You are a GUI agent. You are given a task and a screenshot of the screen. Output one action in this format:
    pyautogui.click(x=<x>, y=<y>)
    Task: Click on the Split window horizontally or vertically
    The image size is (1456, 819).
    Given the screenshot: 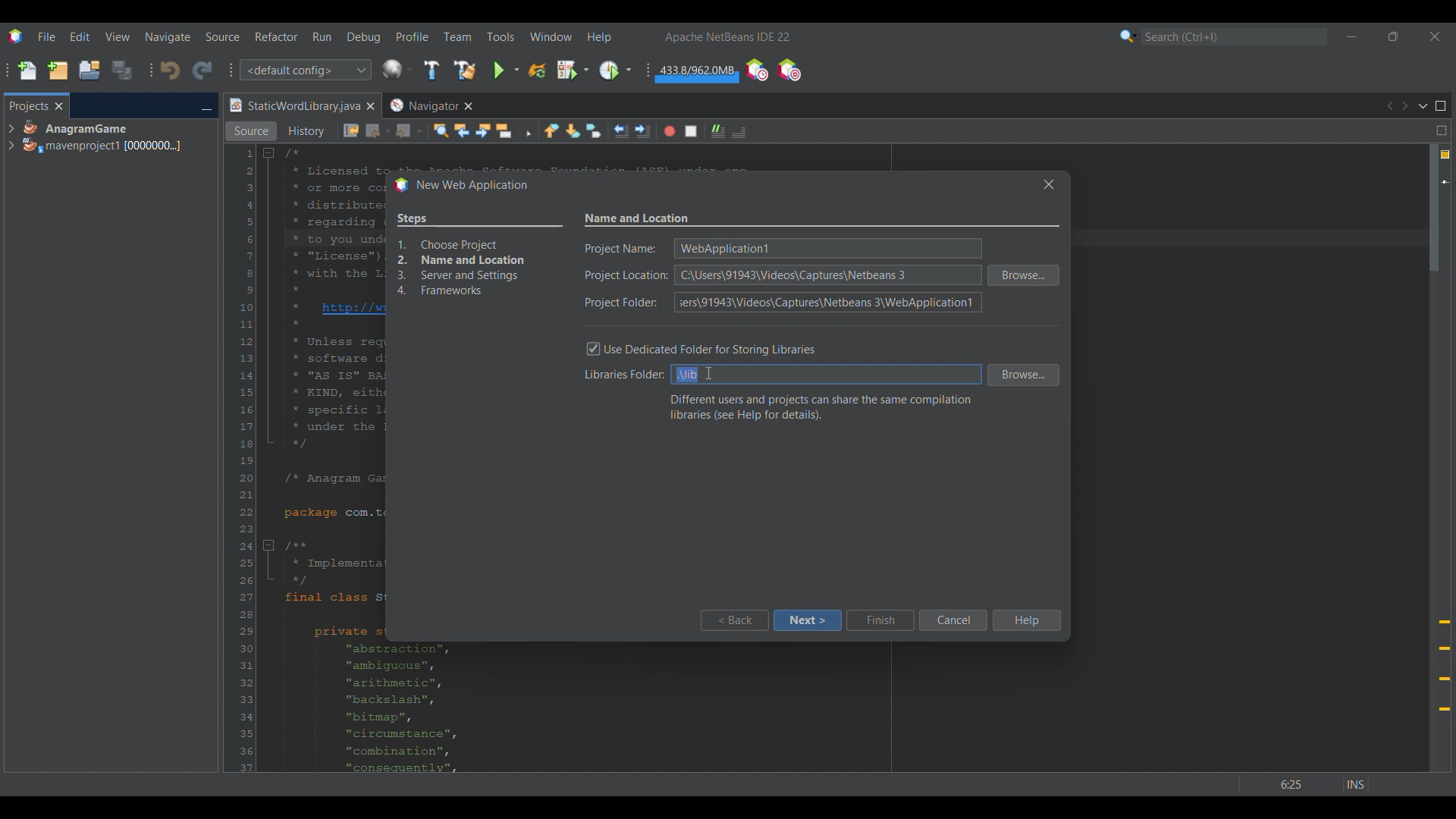 What is the action you would take?
    pyautogui.click(x=1441, y=130)
    